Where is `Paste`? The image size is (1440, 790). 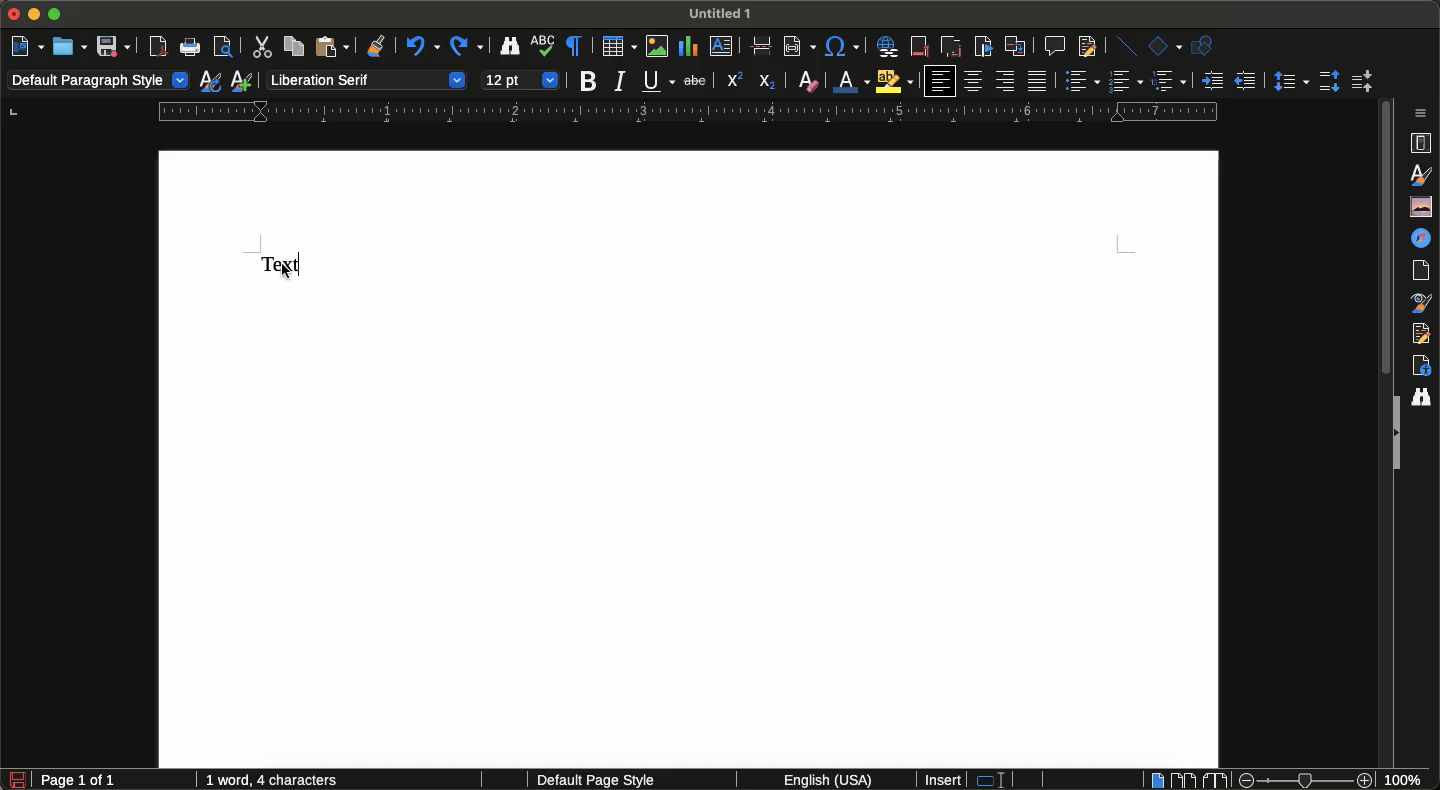 Paste is located at coordinates (331, 47).